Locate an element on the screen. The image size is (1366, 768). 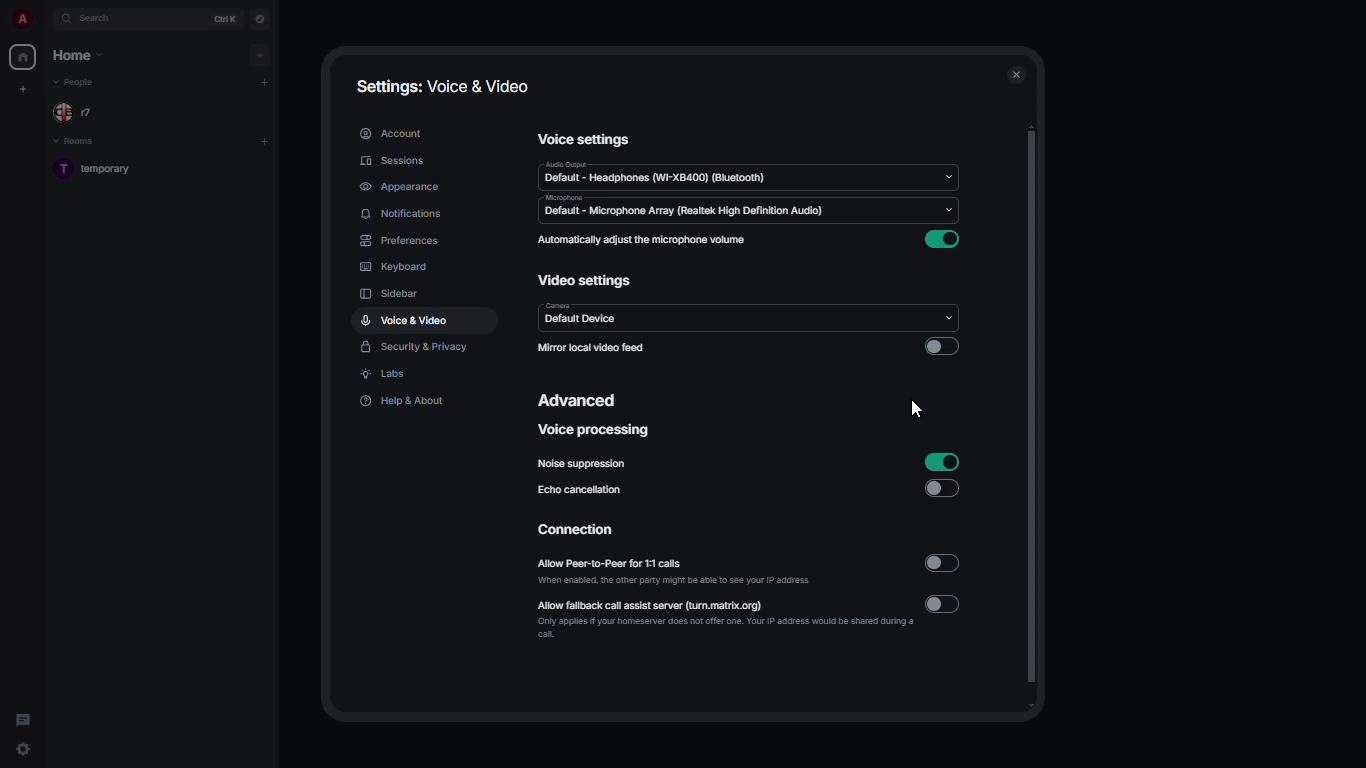
enabled is located at coordinates (941, 462).